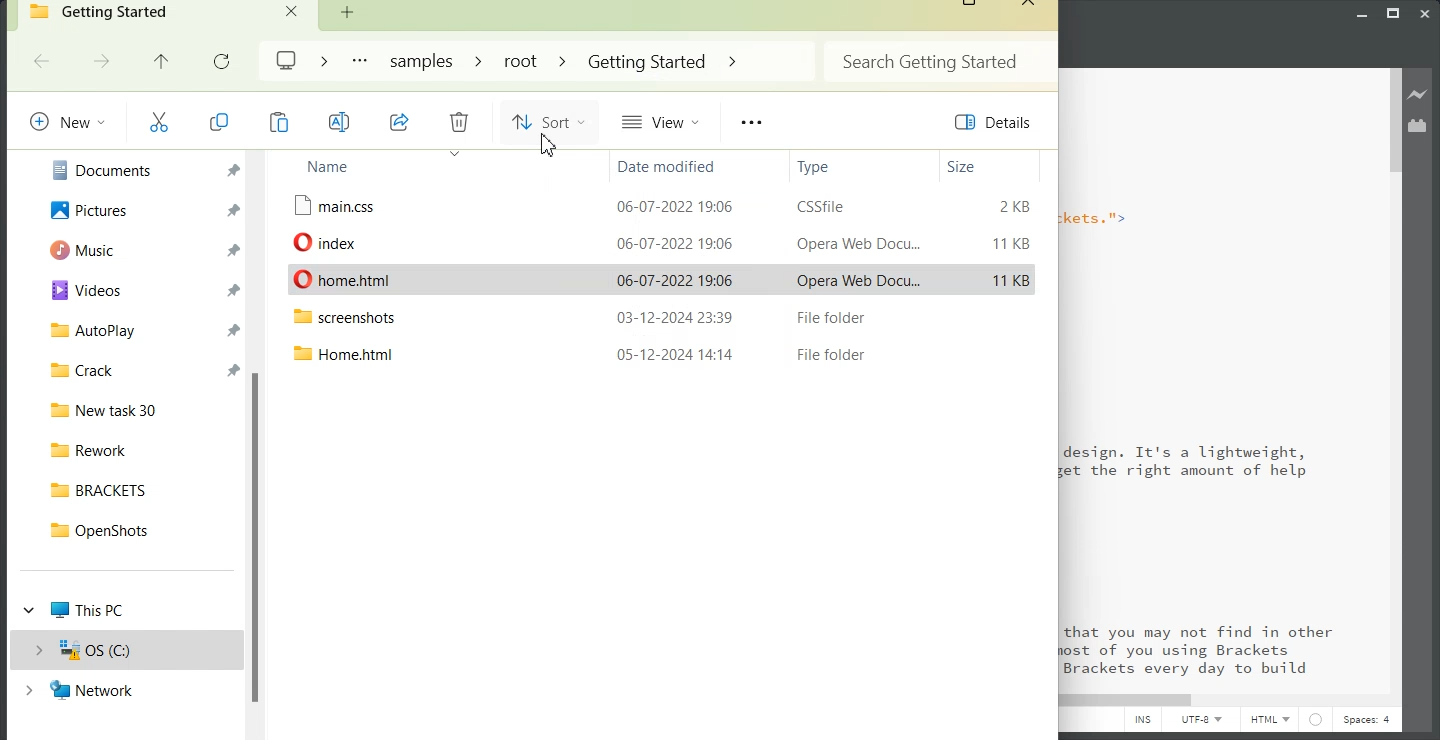 This screenshot has width=1440, height=740. What do you see at coordinates (138, 250) in the screenshot?
I see `Music` at bounding box center [138, 250].